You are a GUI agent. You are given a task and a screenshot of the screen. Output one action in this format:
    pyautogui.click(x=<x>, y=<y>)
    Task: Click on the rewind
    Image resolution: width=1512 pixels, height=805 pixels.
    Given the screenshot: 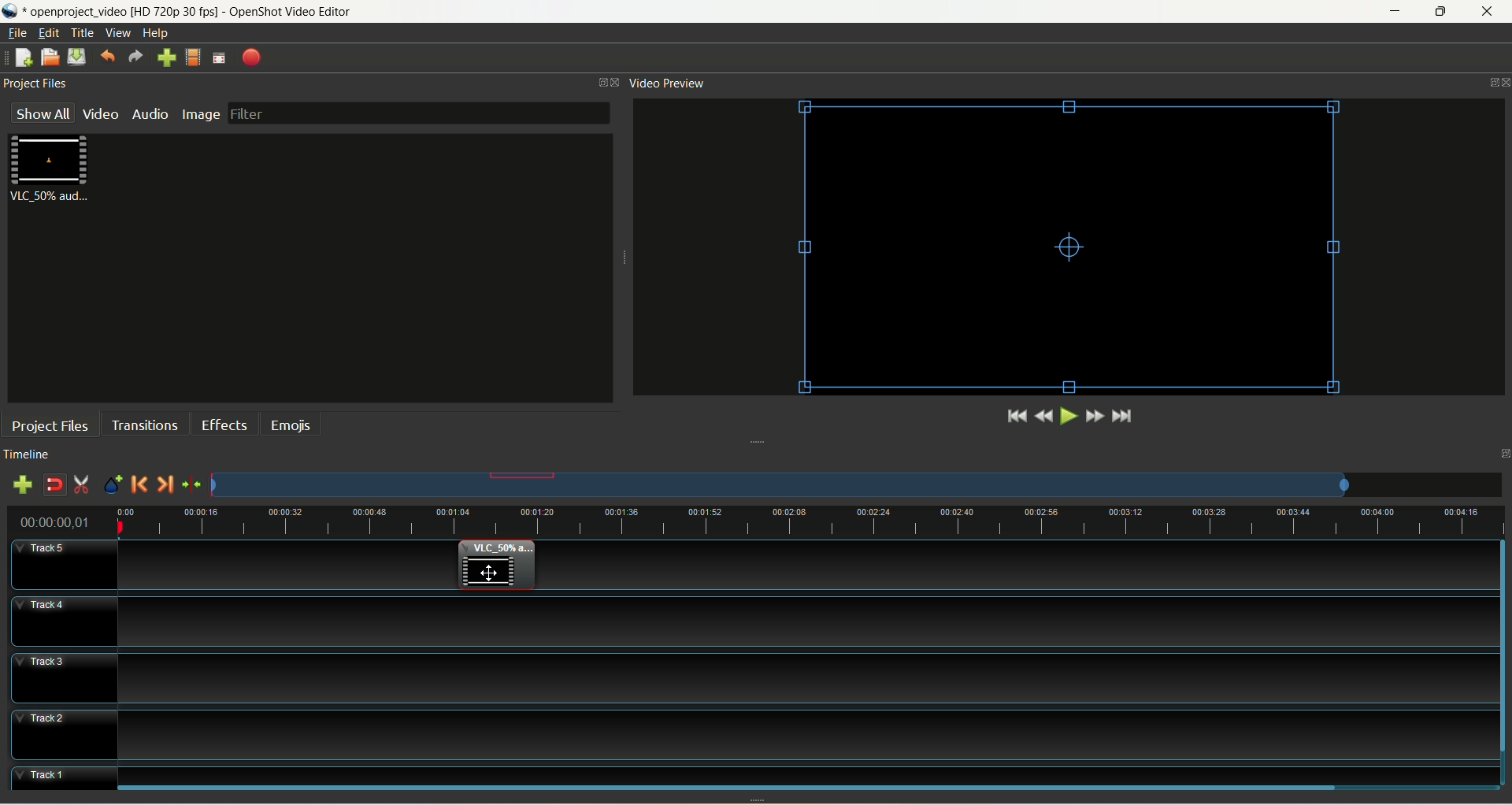 What is the action you would take?
    pyautogui.click(x=1042, y=416)
    